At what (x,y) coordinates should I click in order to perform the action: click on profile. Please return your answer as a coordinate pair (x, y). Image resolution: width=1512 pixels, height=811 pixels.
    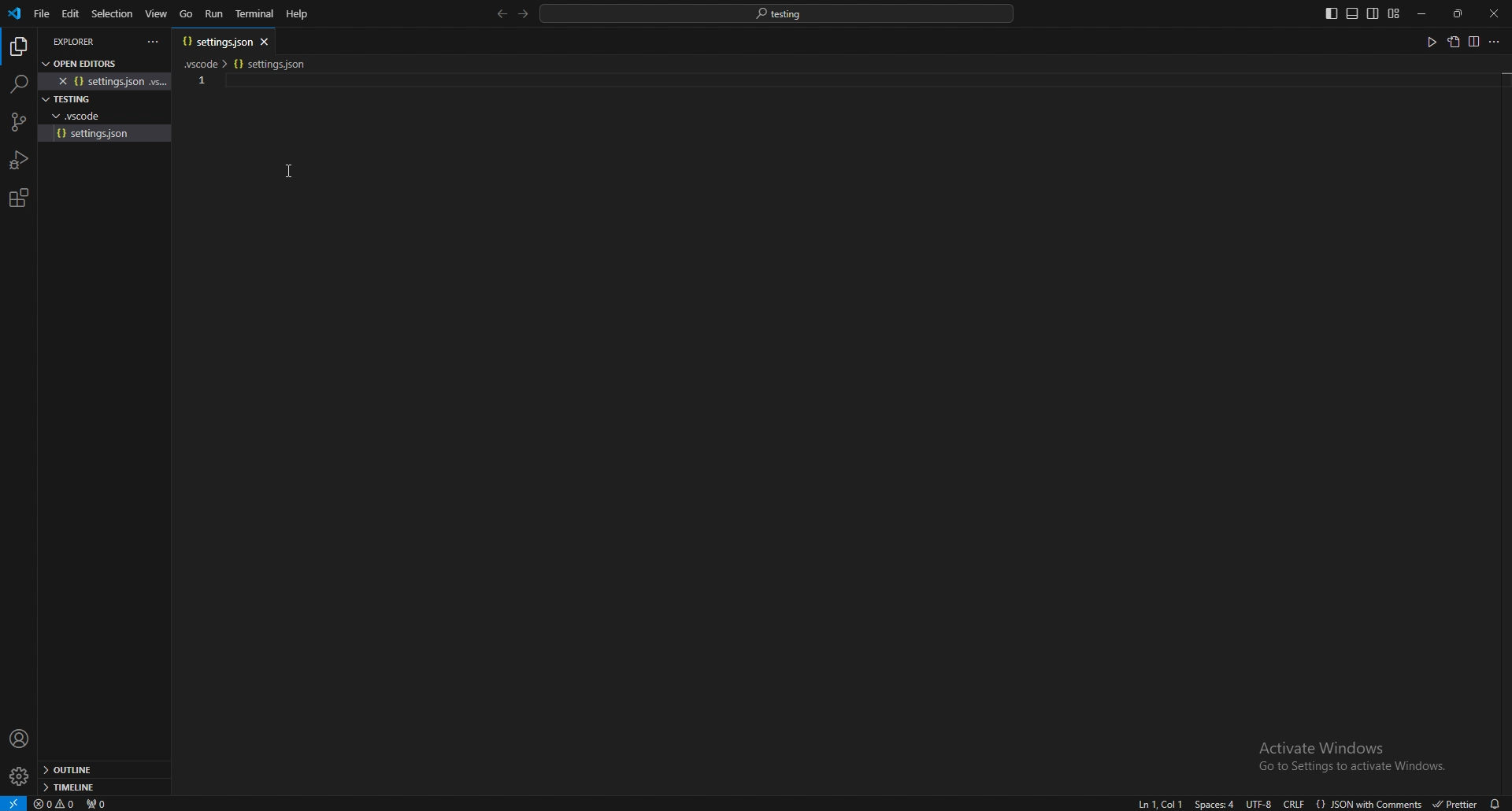
    Looking at the image, I should click on (20, 739).